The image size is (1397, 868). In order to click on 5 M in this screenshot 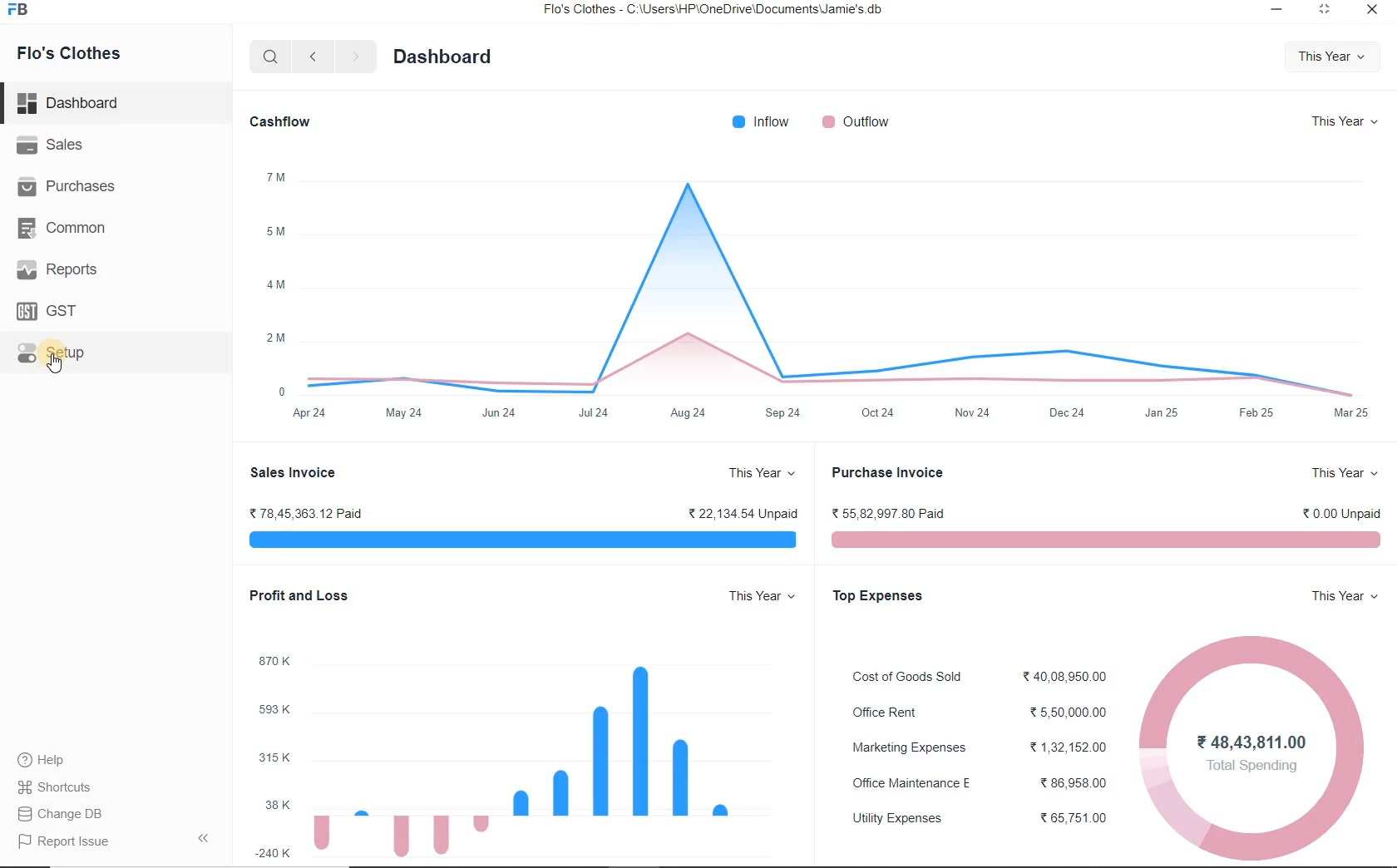, I will do `click(274, 229)`.